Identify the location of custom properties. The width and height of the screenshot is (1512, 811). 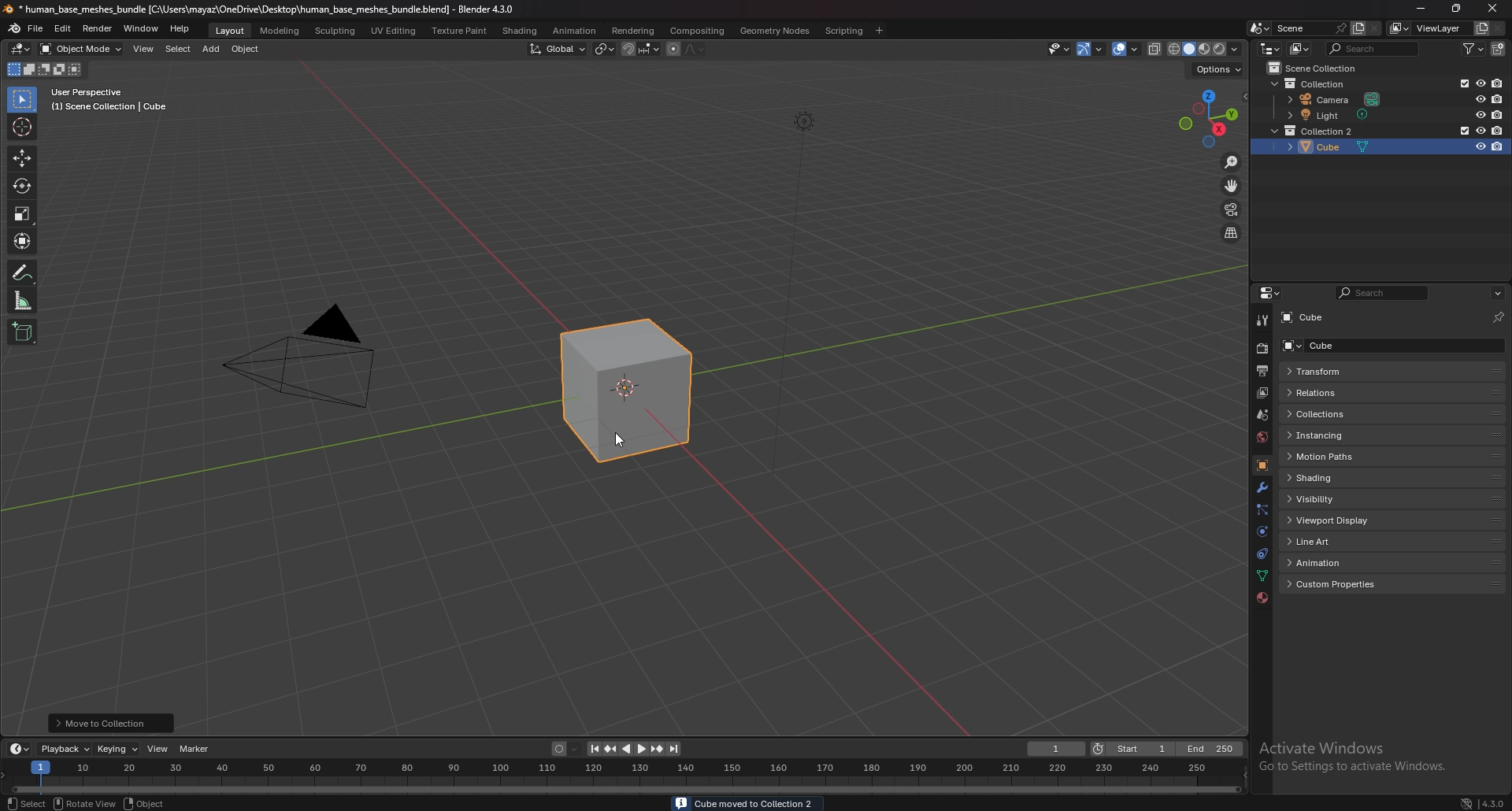
(1345, 585).